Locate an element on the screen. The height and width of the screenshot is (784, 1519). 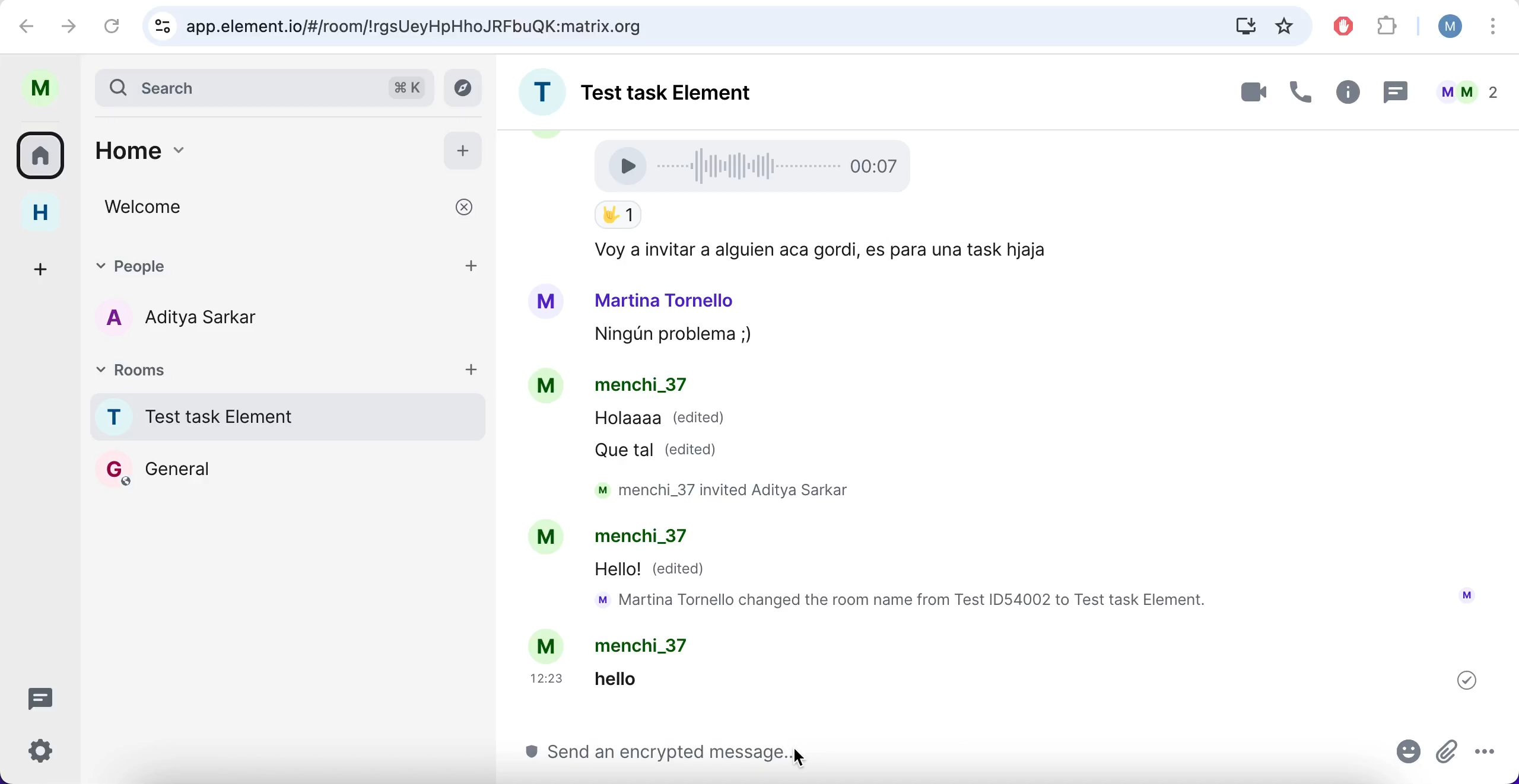
add is located at coordinates (473, 264).